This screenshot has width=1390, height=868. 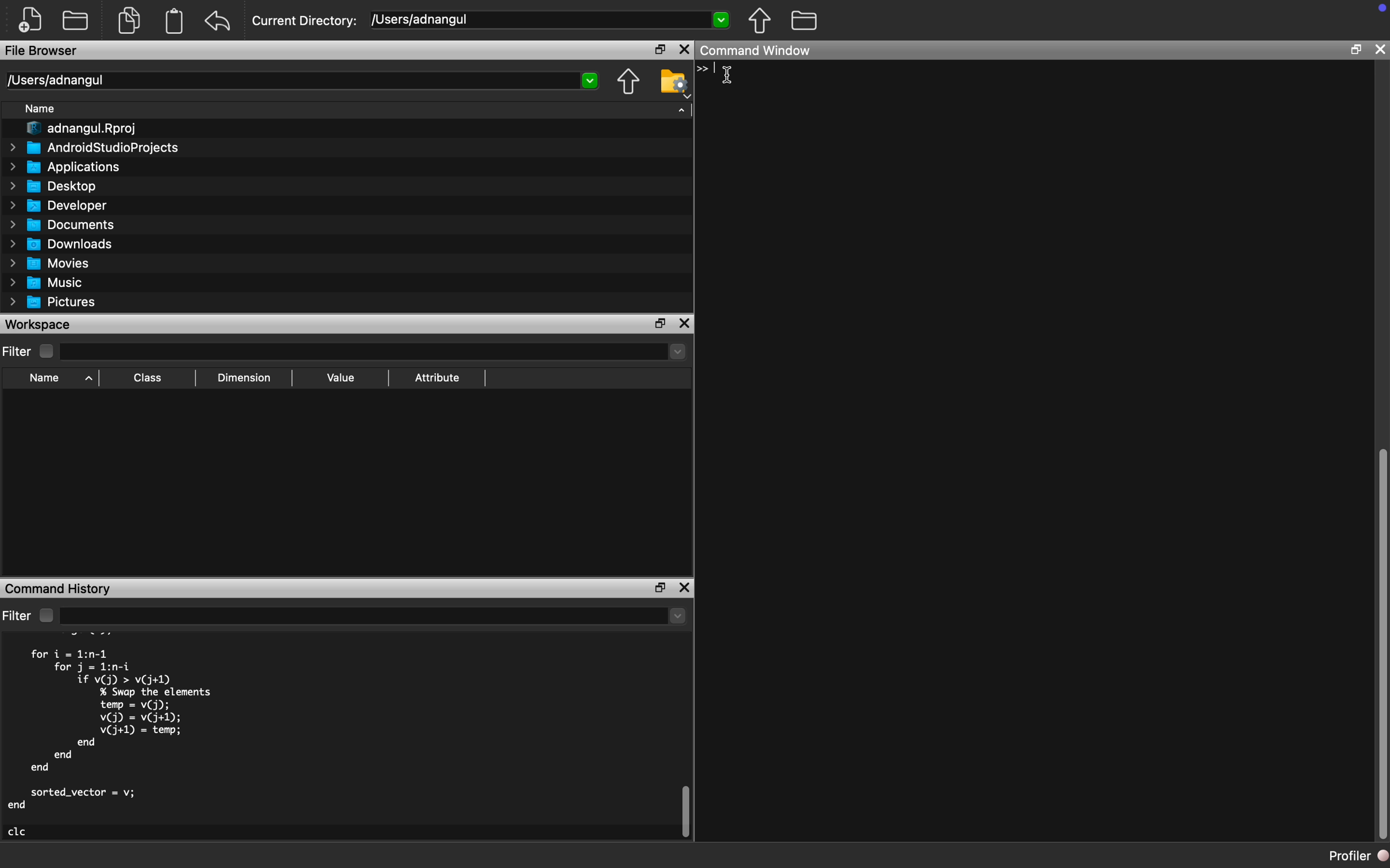 What do you see at coordinates (55, 187) in the screenshot?
I see `Desktop` at bounding box center [55, 187].